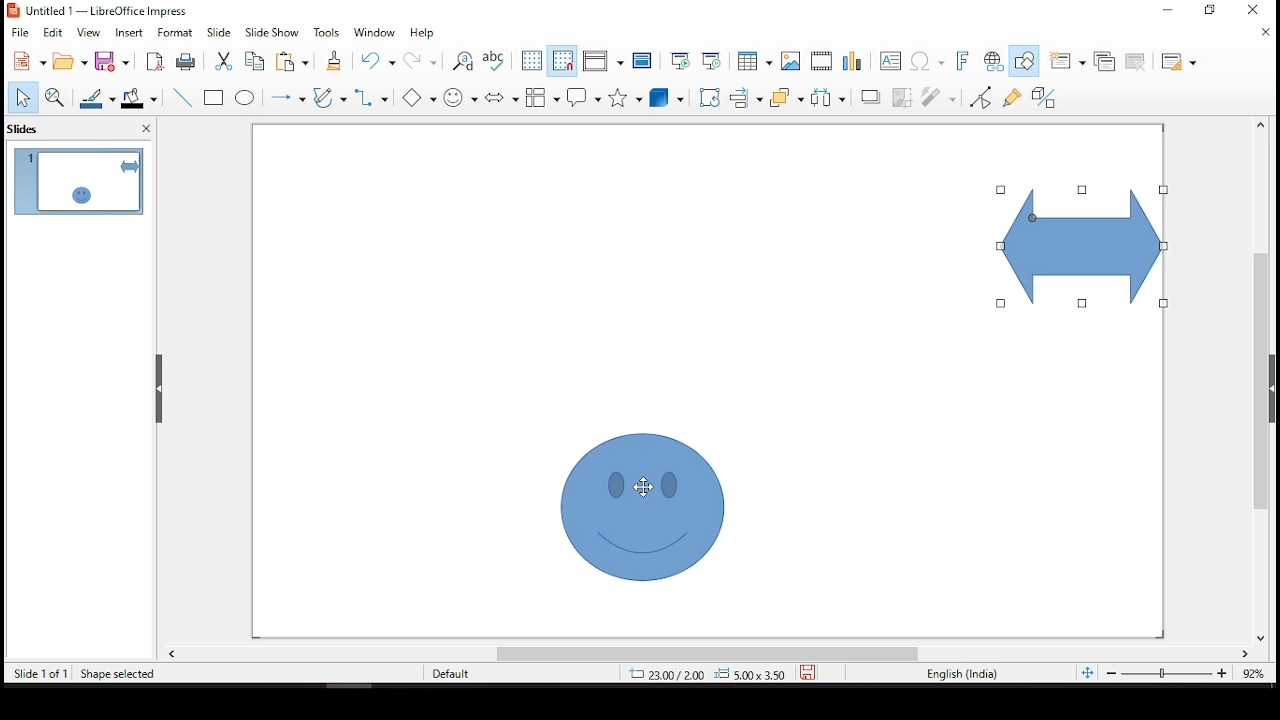  What do you see at coordinates (827, 99) in the screenshot?
I see `distribute` at bounding box center [827, 99].